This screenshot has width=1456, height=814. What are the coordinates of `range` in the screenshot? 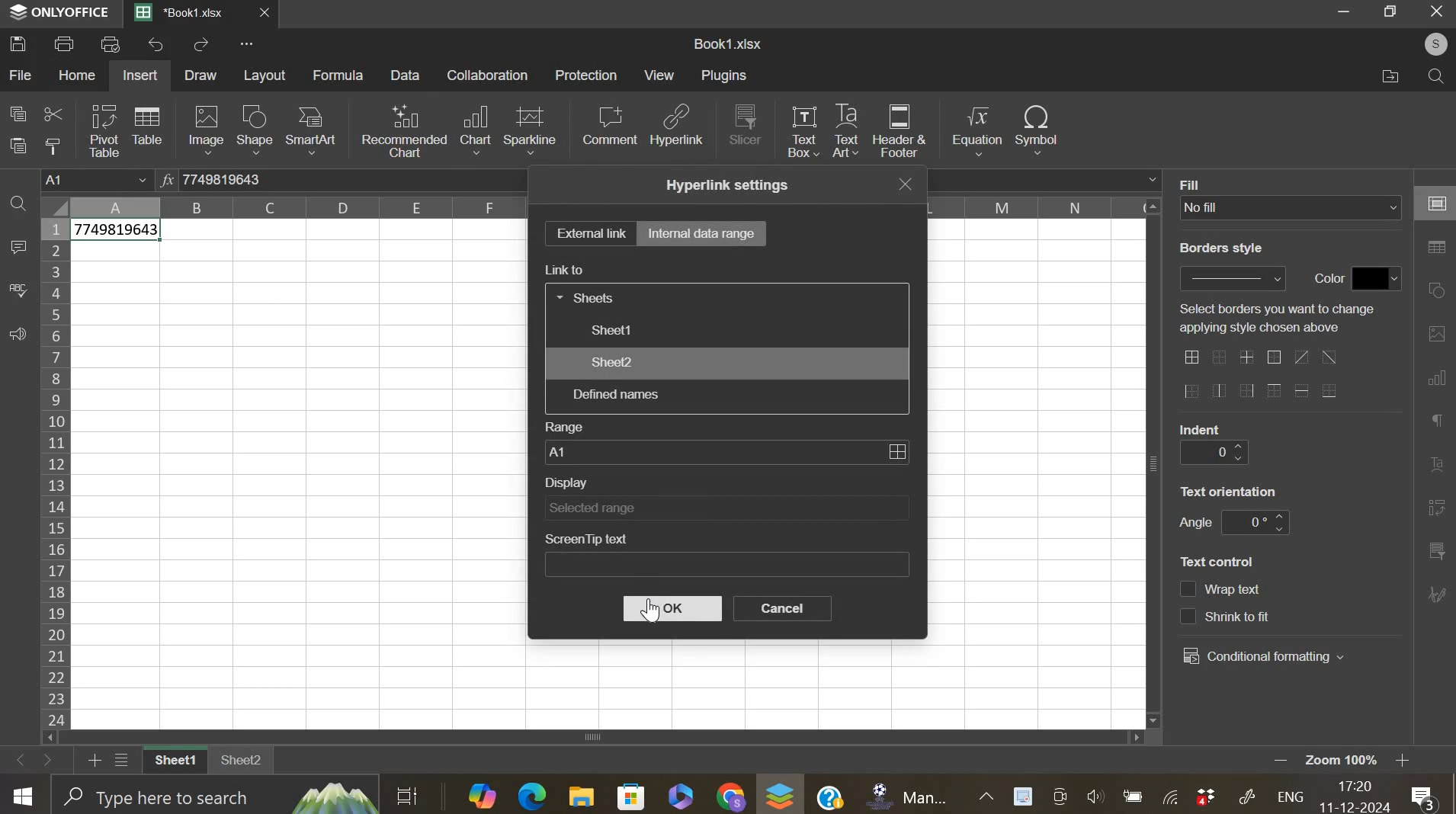 It's located at (726, 451).